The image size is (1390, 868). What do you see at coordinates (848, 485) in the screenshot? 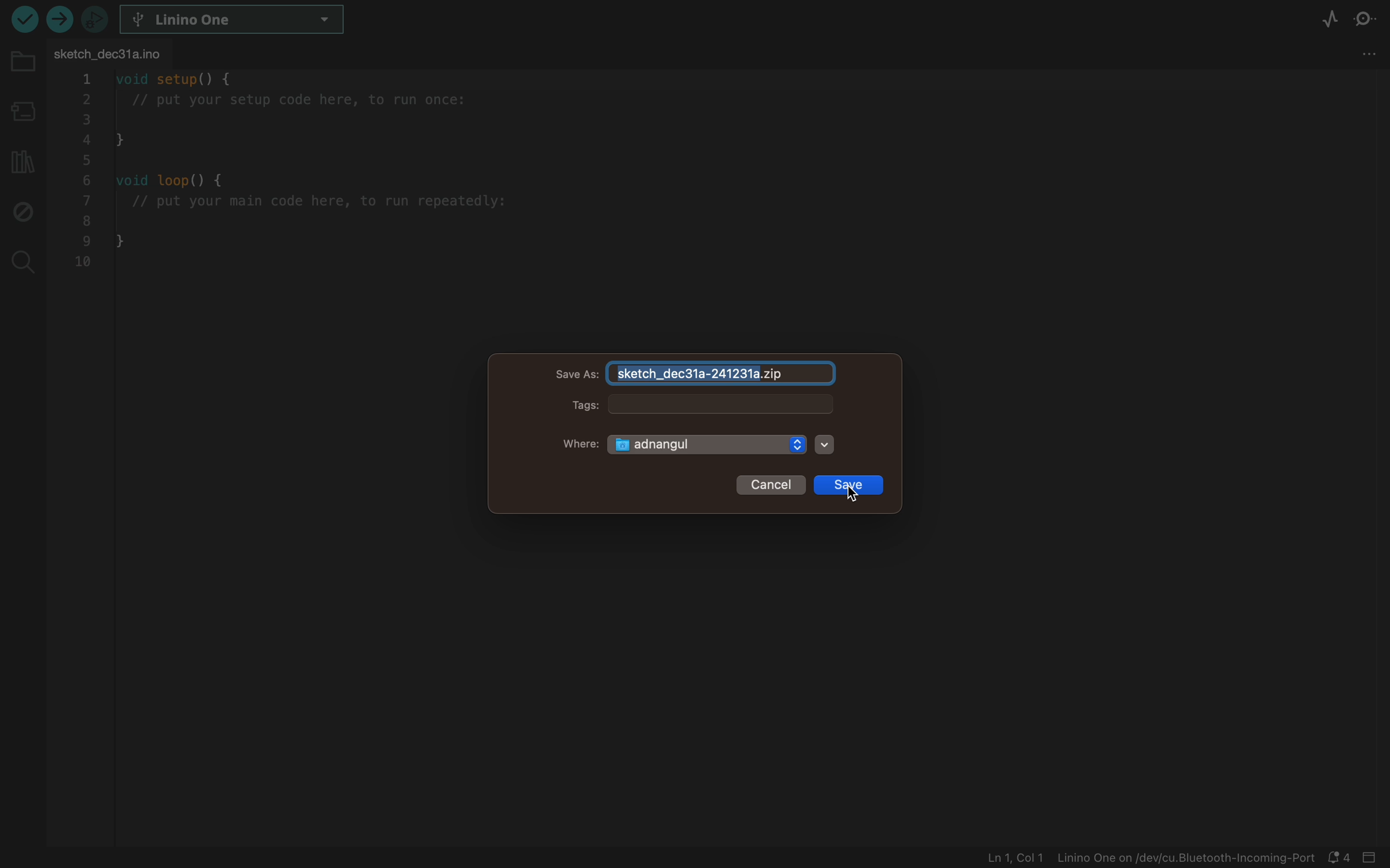
I see `save` at bounding box center [848, 485].